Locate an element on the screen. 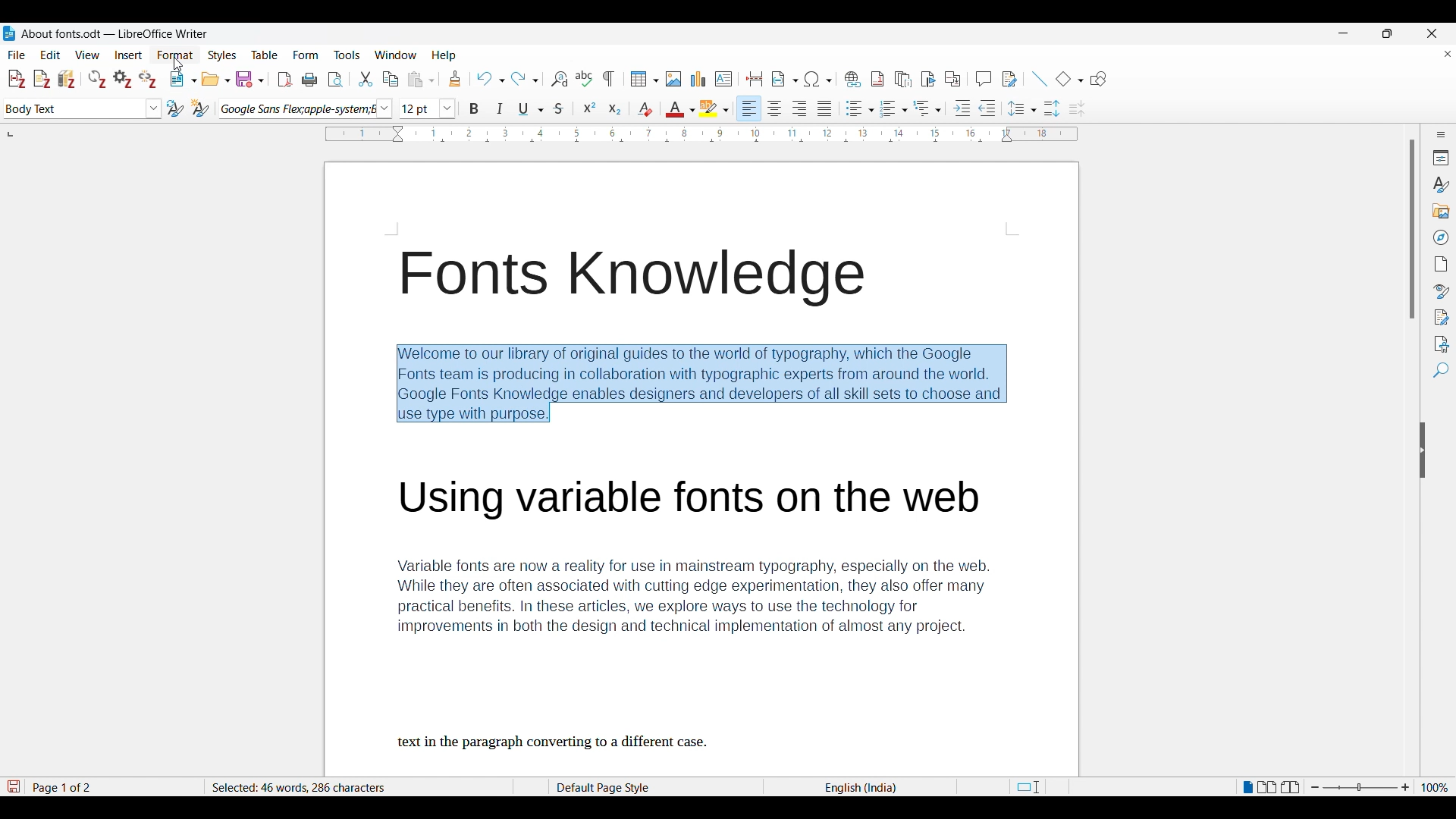 The height and width of the screenshot is (819, 1456). Current zoom factor is located at coordinates (1435, 787).